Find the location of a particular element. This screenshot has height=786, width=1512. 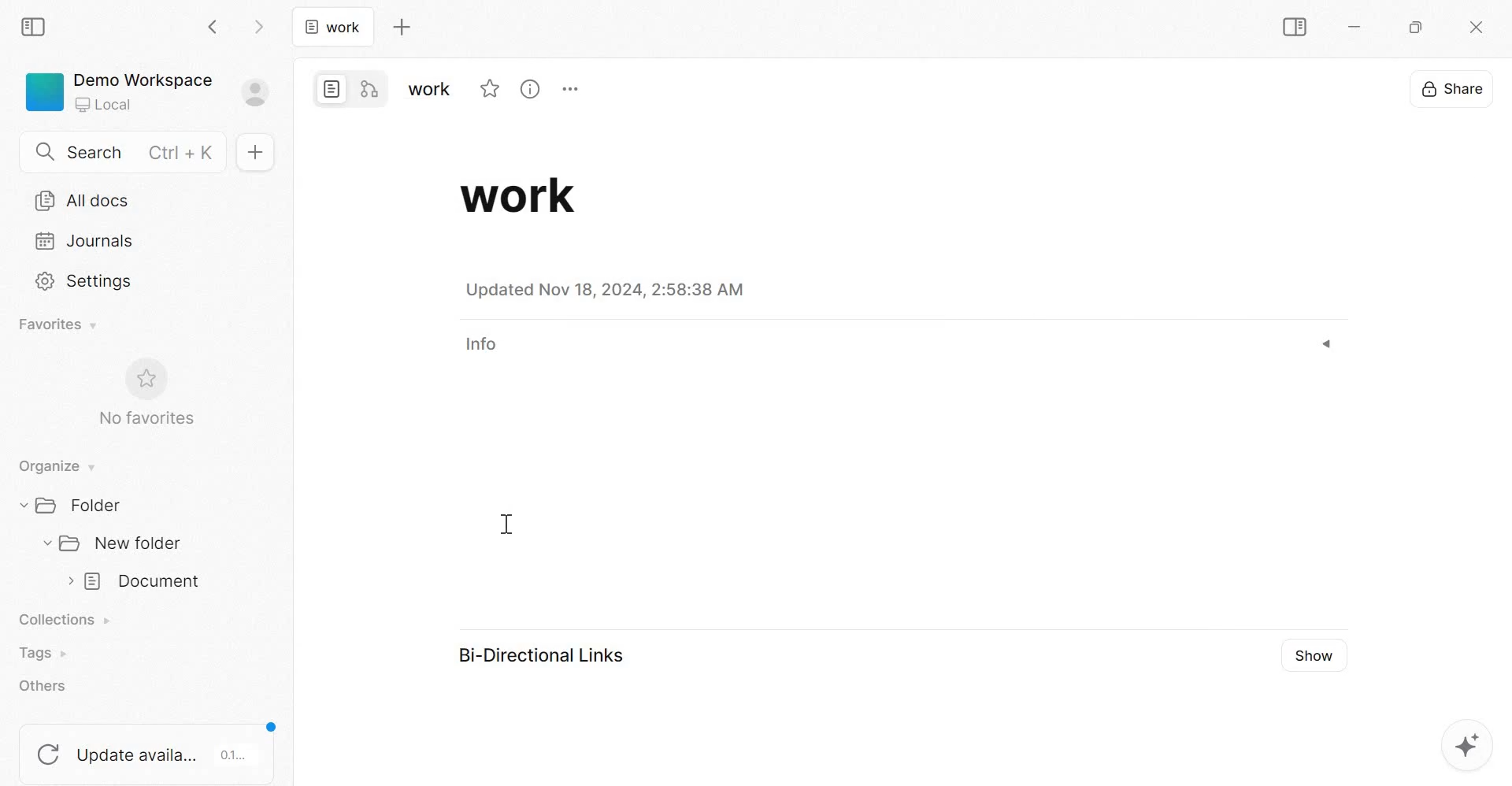

share is located at coordinates (1451, 87).